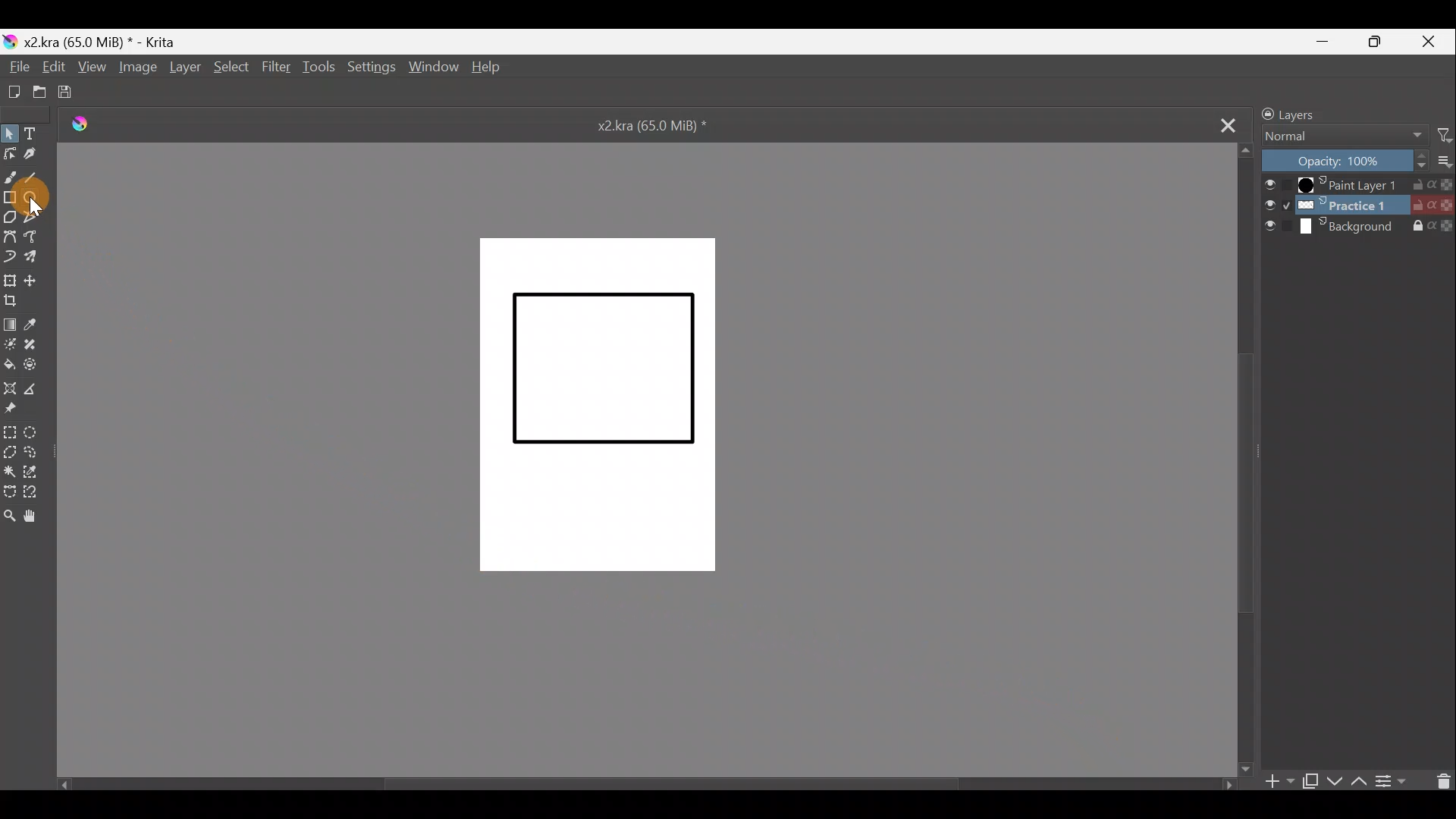  What do you see at coordinates (34, 472) in the screenshot?
I see `Similar colour selection tool` at bounding box center [34, 472].